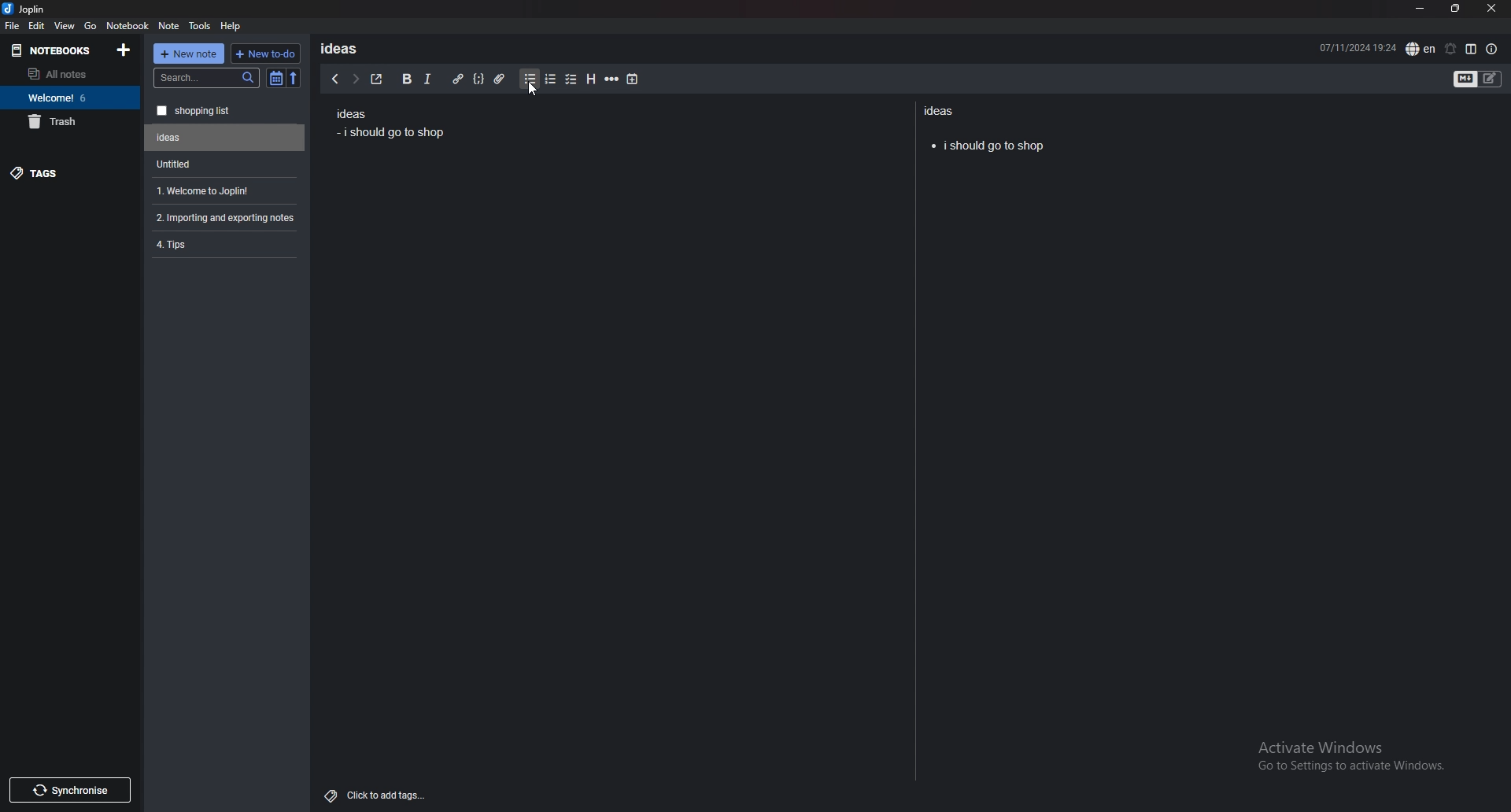 This screenshot has width=1511, height=812. I want to click on code, so click(478, 79).